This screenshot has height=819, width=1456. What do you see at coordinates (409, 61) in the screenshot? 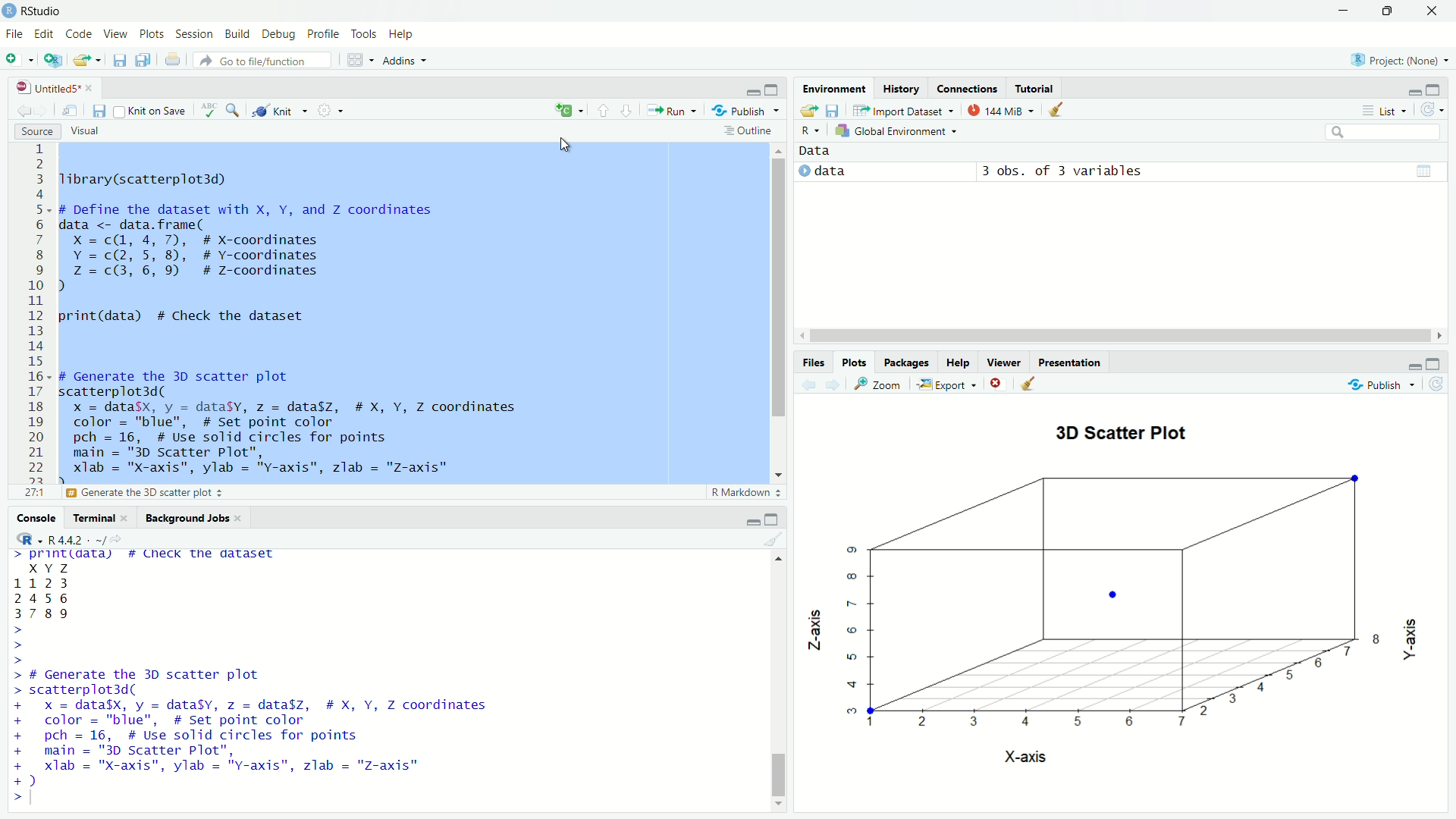
I see `addins` at bounding box center [409, 61].